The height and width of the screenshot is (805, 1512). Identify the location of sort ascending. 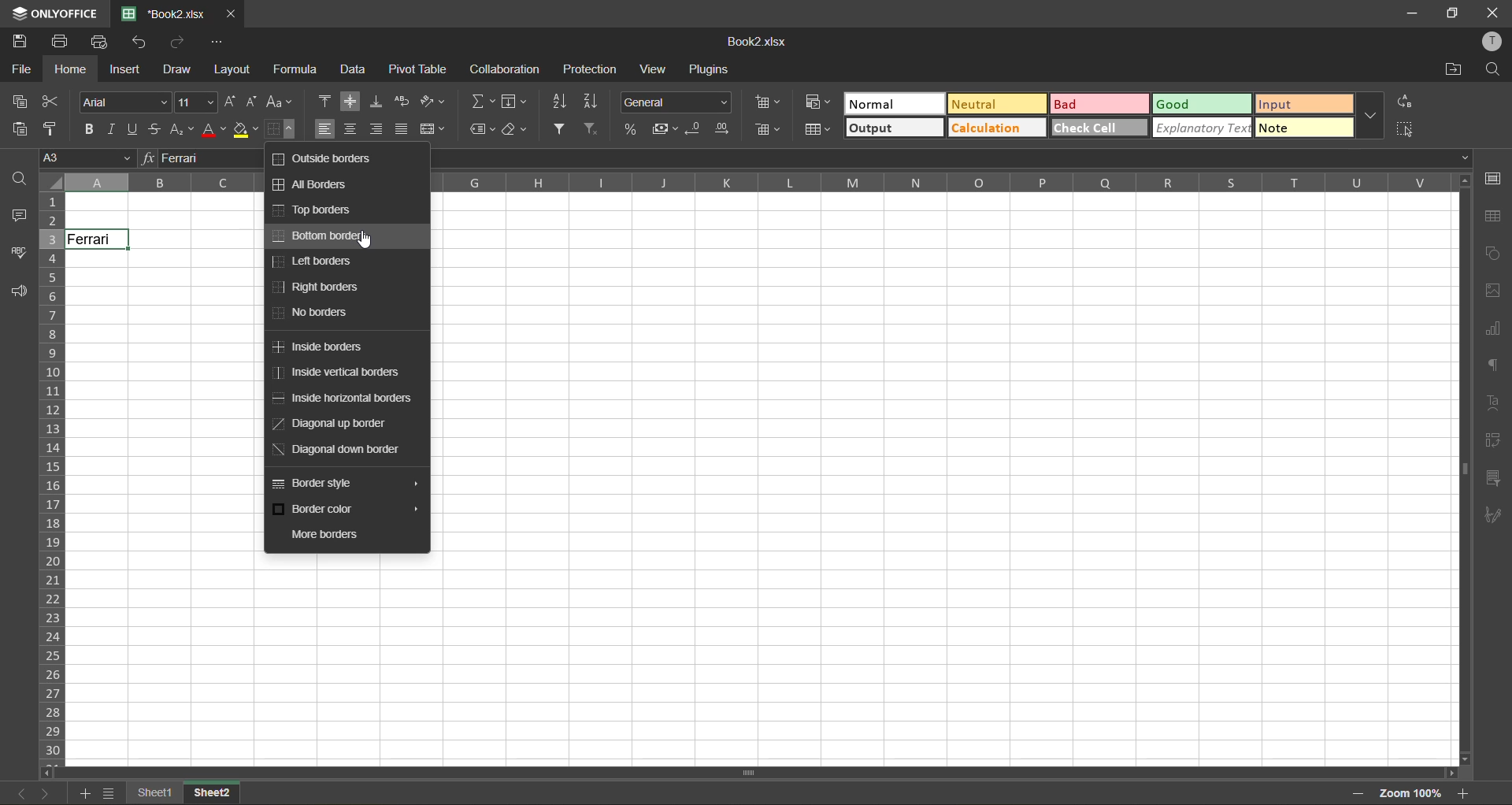
(560, 102).